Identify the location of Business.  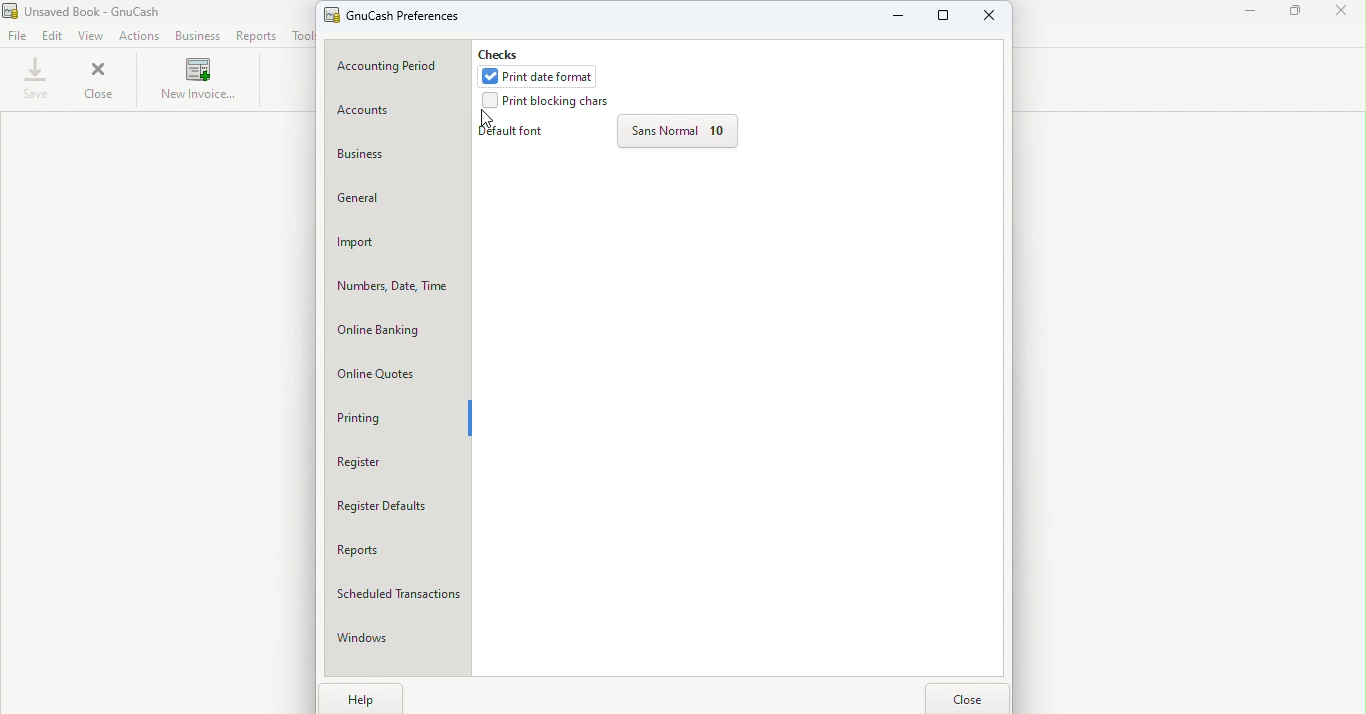
(399, 155).